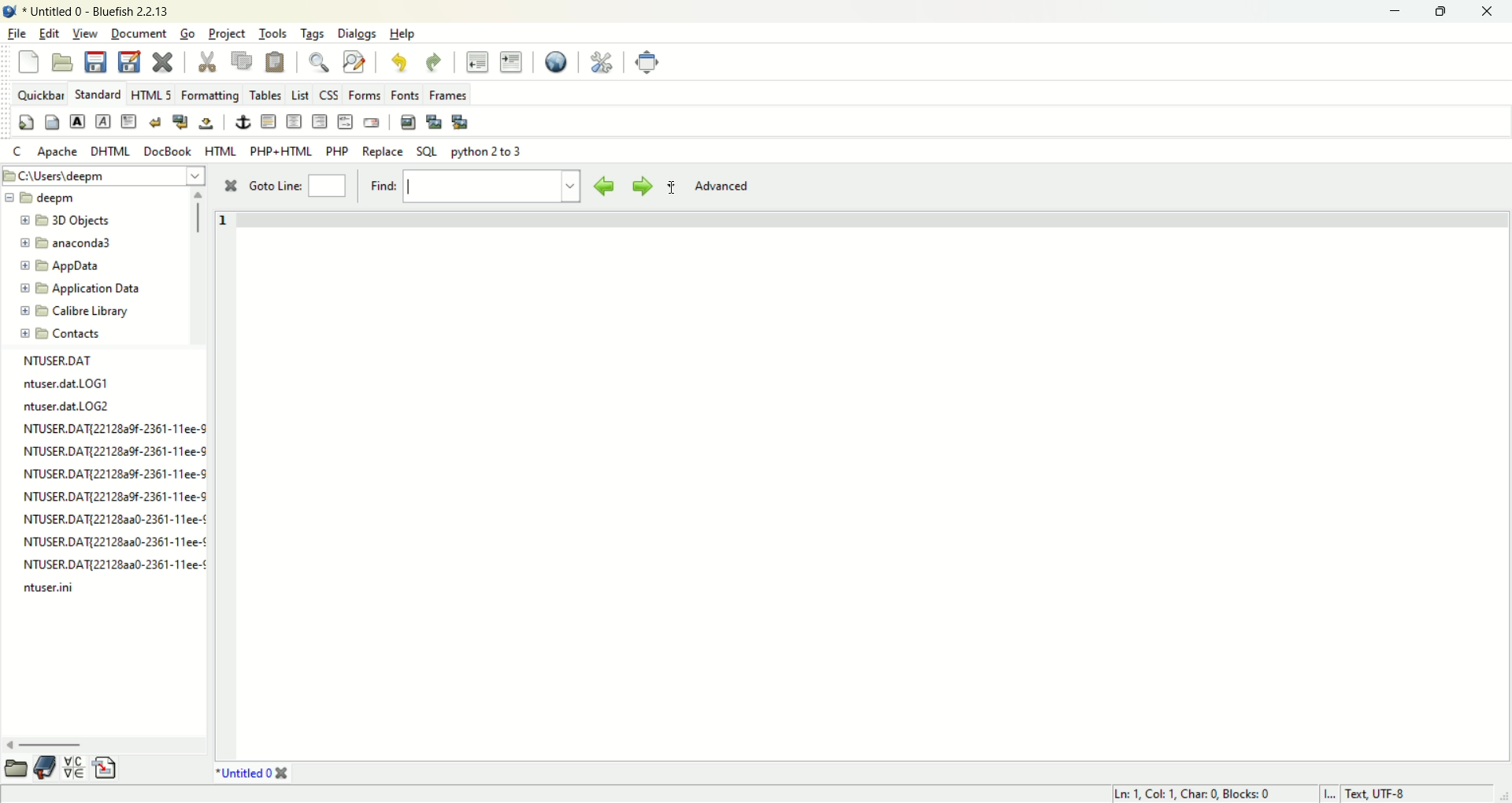 Image resolution: width=1512 pixels, height=803 pixels. What do you see at coordinates (471, 187) in the screenshot?
I see `find` at bounding box center [471, 187].